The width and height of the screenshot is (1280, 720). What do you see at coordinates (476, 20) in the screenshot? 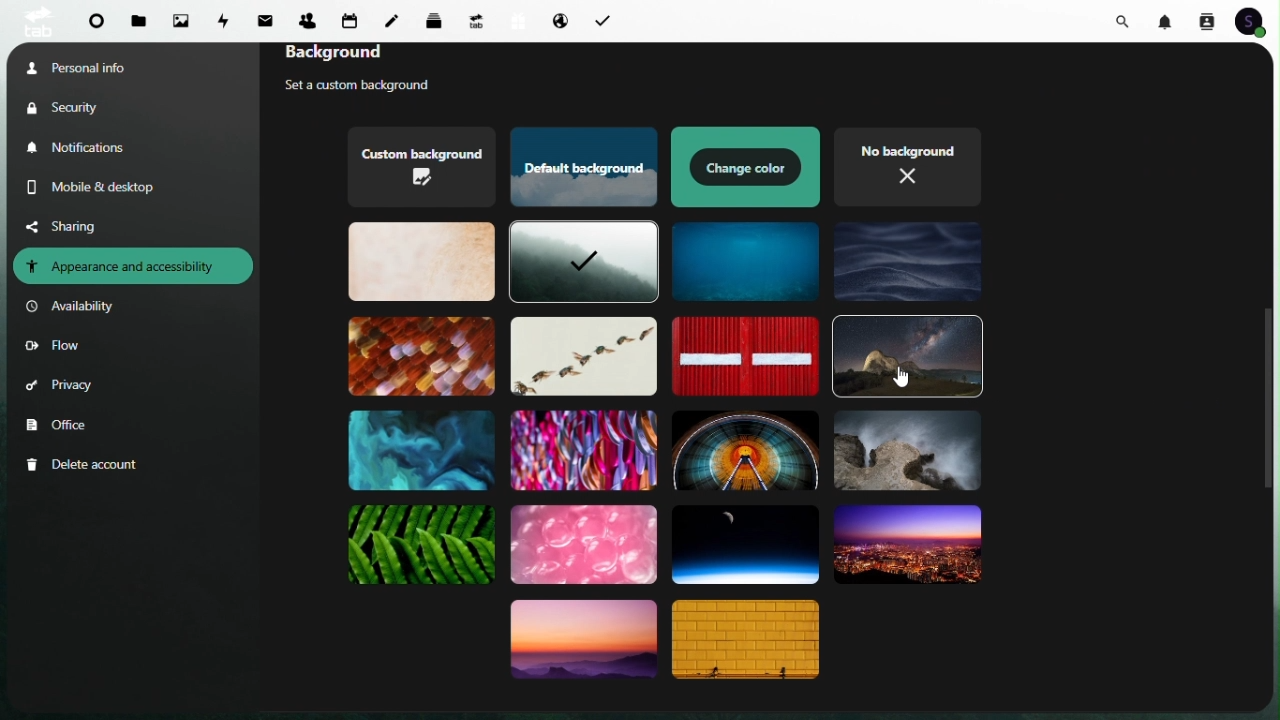
I see `Upgrade` at bounding box center [476, 20].